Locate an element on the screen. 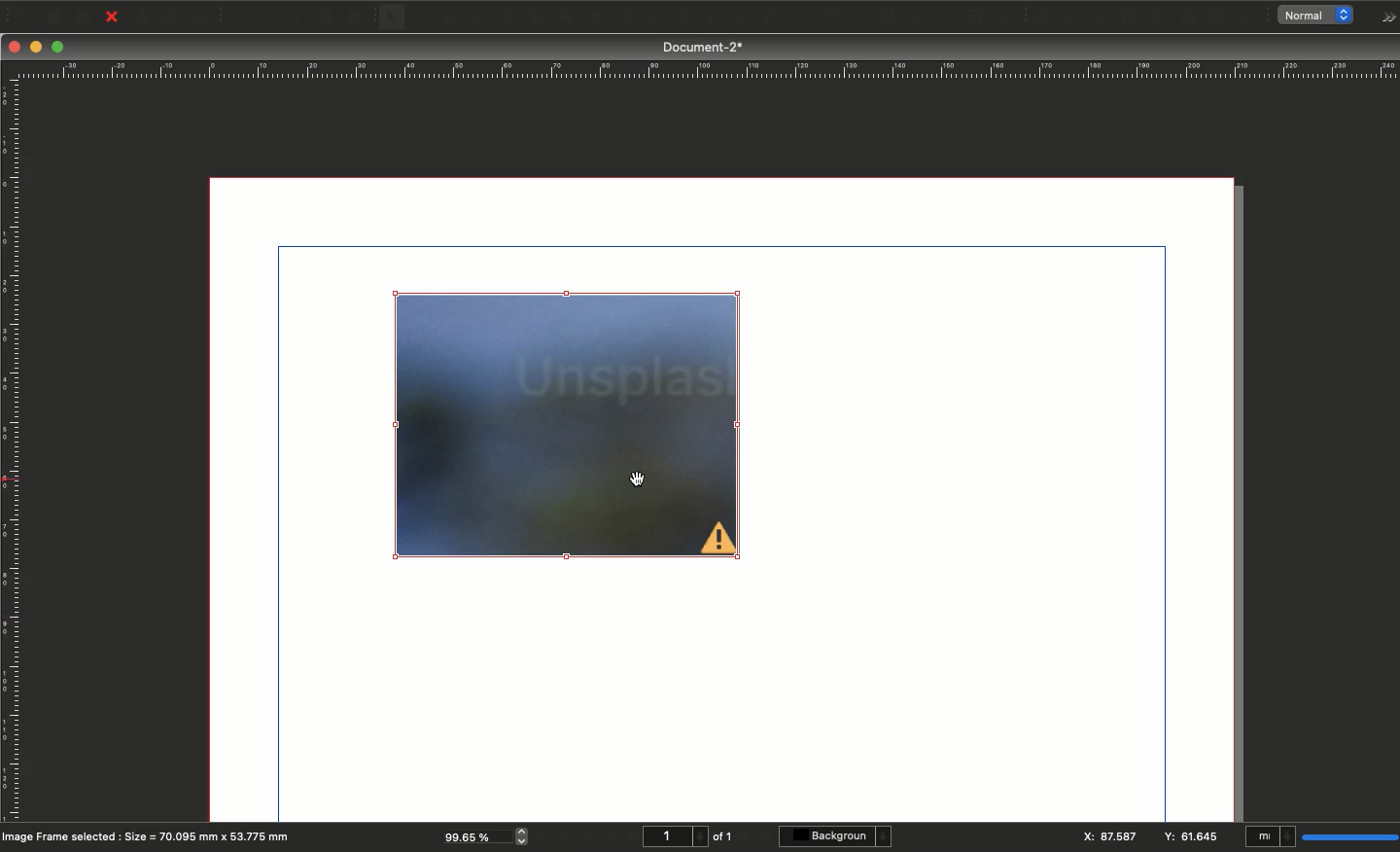  Paste is located at coordinates (361, 18).